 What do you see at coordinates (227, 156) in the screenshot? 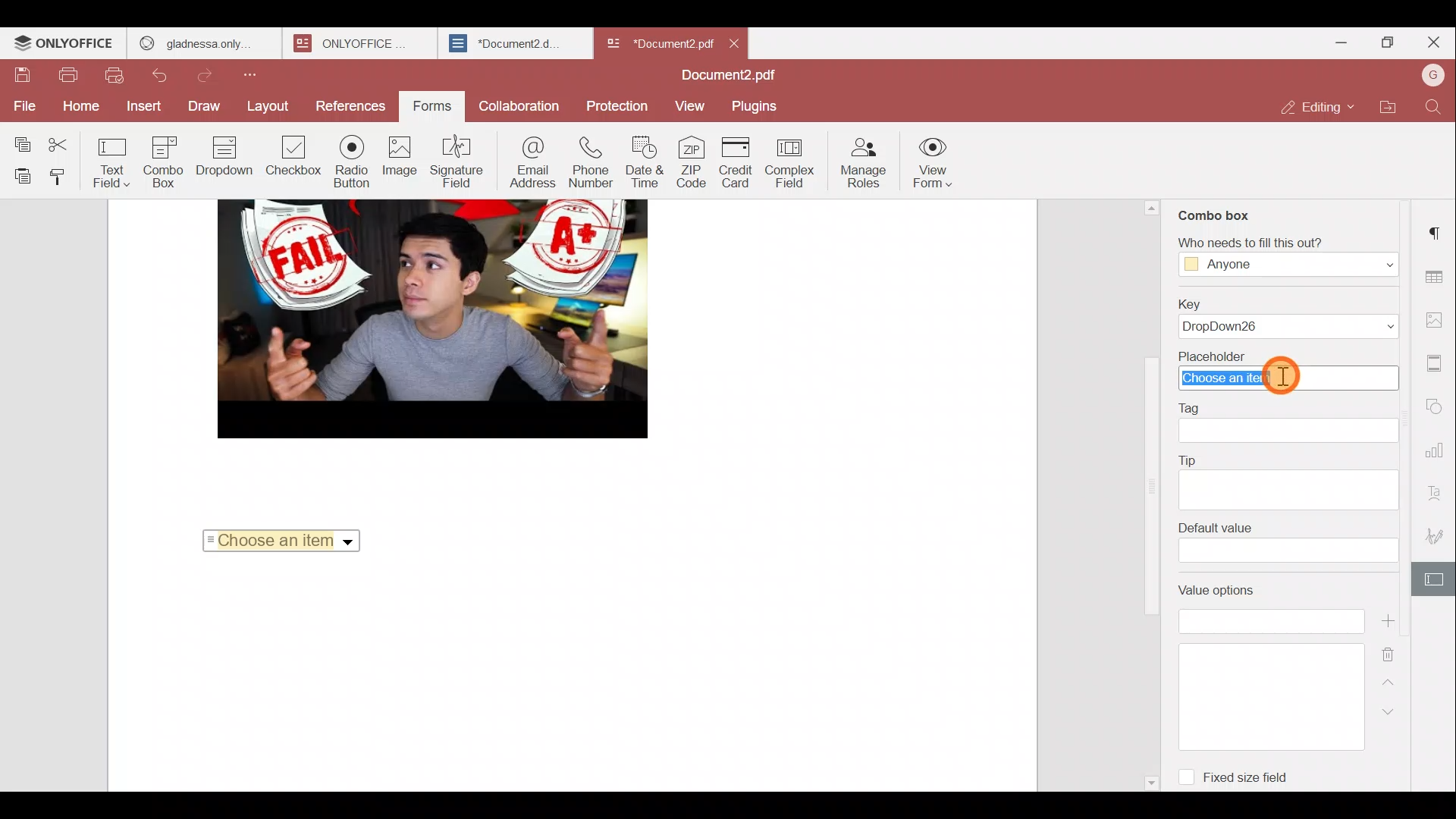
I see `Dropdown` at bounding box center [227, 156].